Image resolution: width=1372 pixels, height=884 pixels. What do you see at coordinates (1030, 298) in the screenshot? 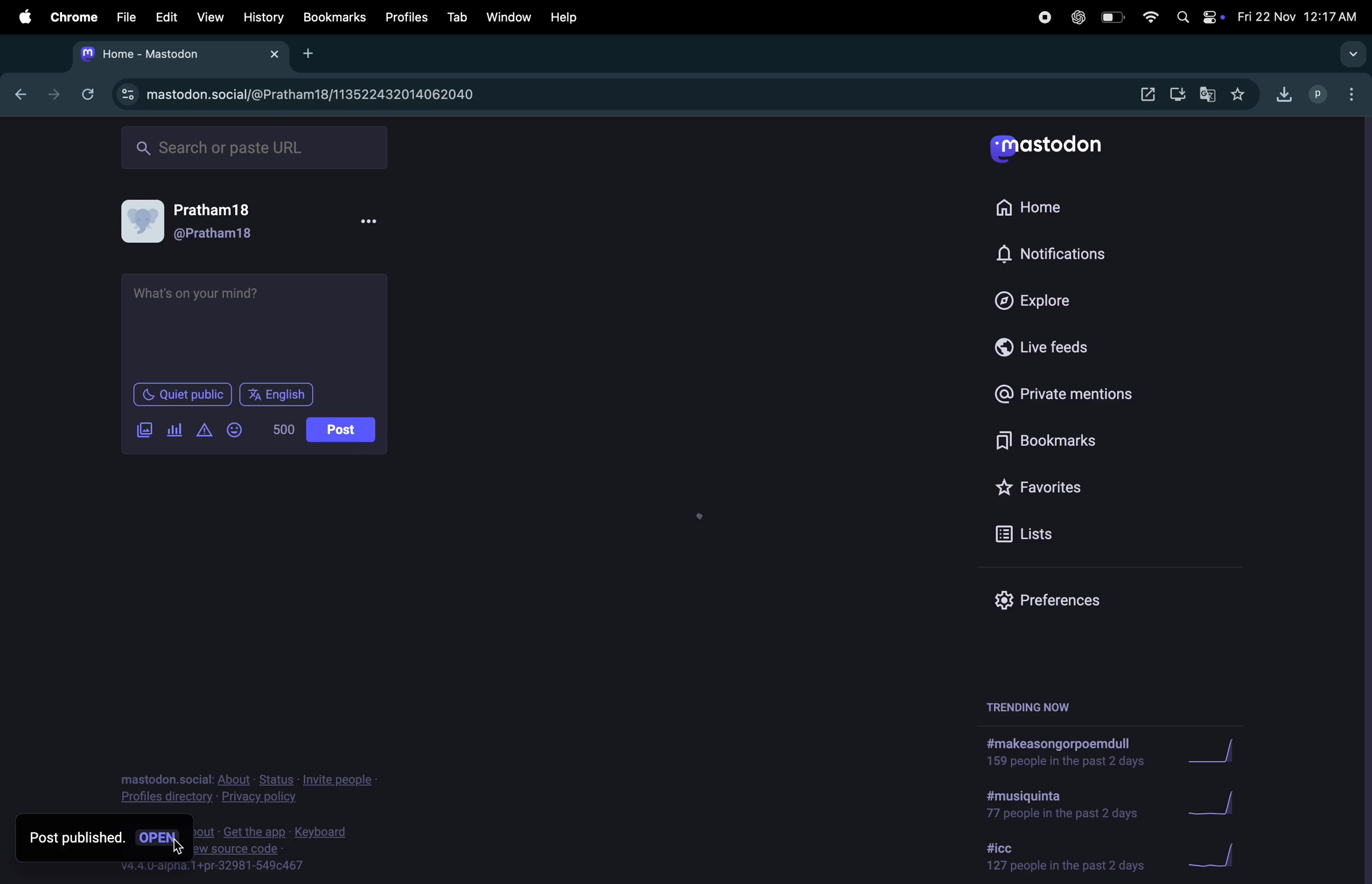
I see `explore` at bounding box center [1030, 298].